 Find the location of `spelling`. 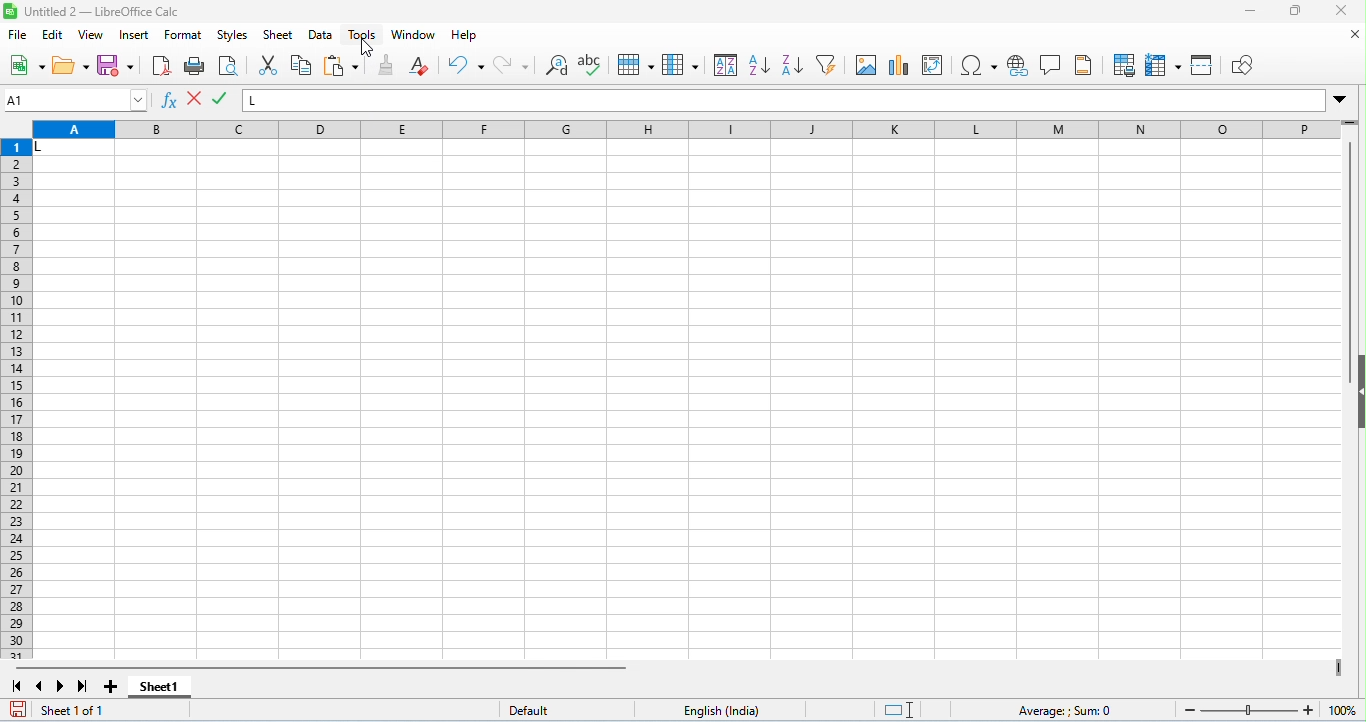

spelling is located at coordinates (593, 67).